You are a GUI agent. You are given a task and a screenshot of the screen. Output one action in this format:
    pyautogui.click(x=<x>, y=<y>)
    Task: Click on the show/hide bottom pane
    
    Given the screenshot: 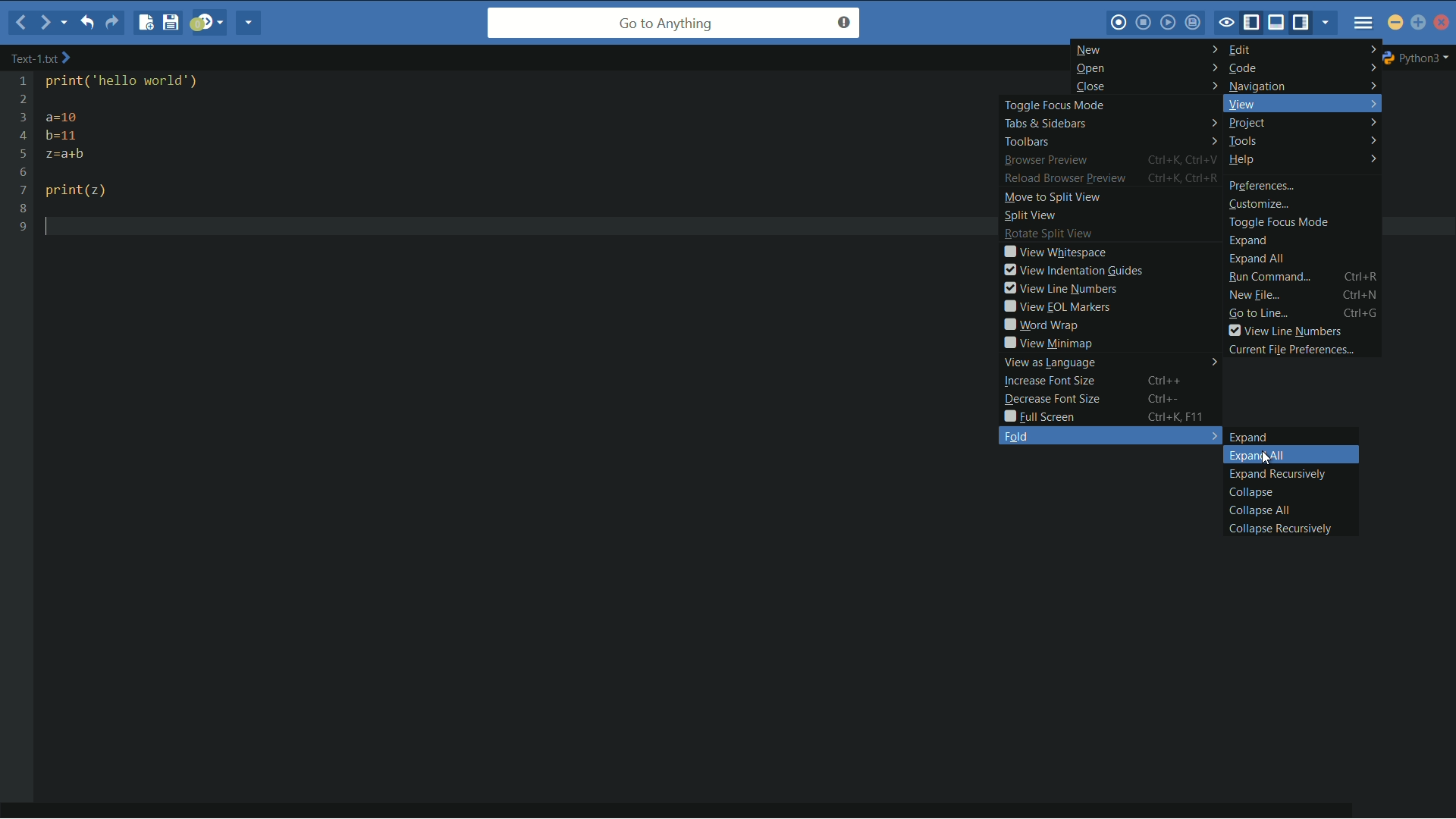 What is the action you would take?
    pyautogui.click(x=1279, y=24)
    